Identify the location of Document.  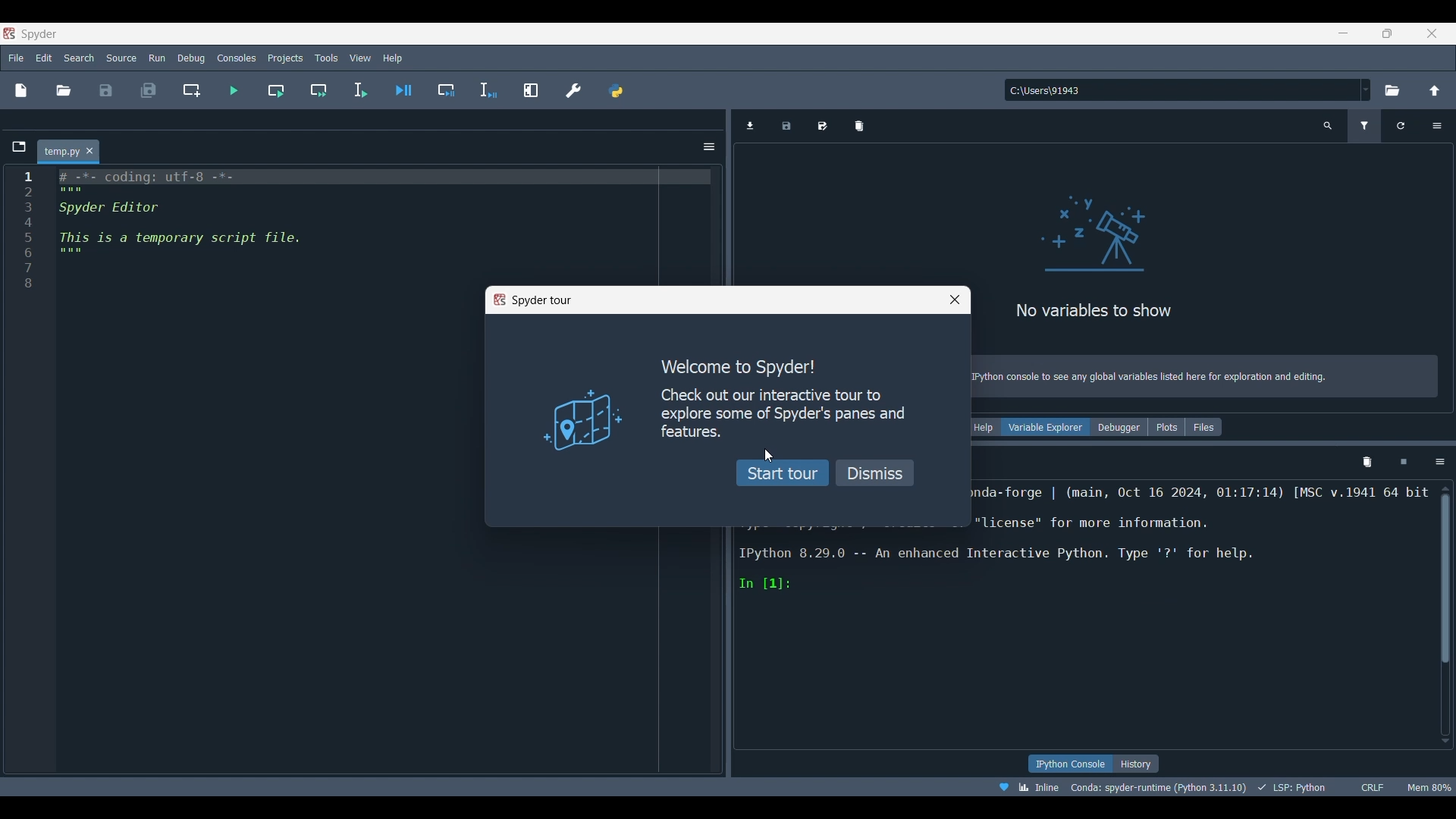
(1402, 127).